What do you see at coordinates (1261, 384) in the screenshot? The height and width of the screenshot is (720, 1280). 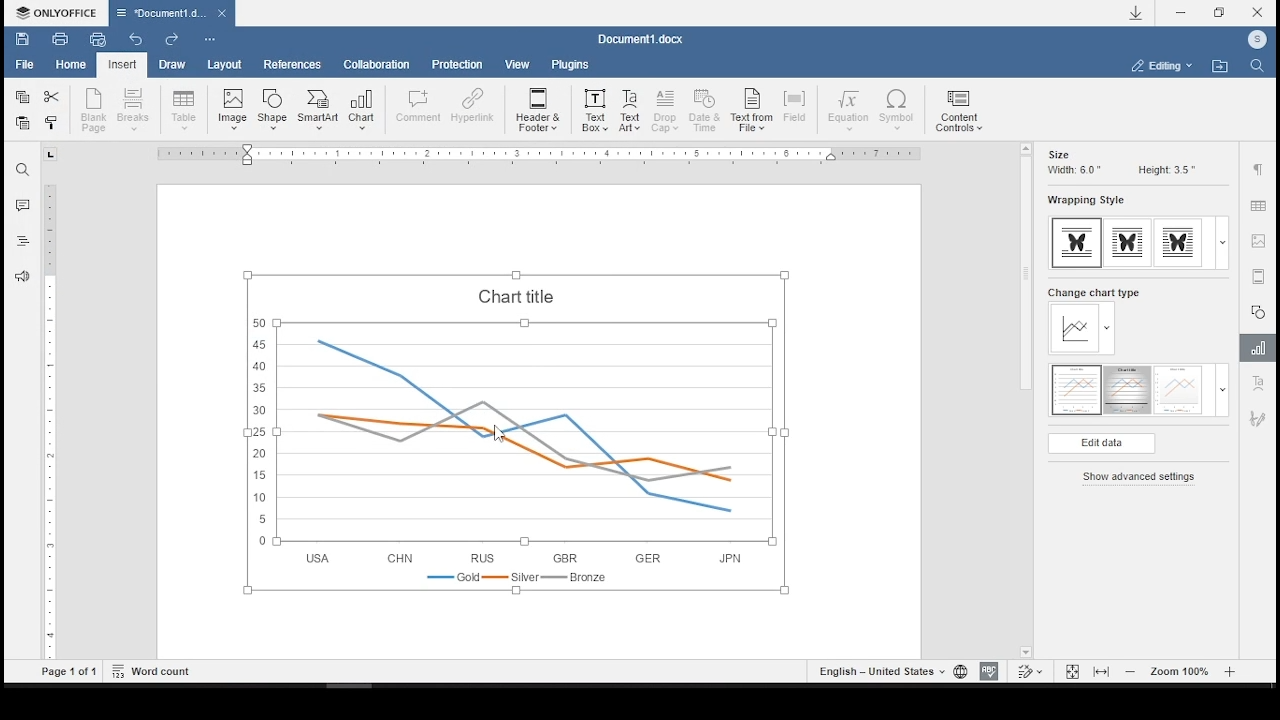 I see `text art settings` at bounding box center [1261, 384].